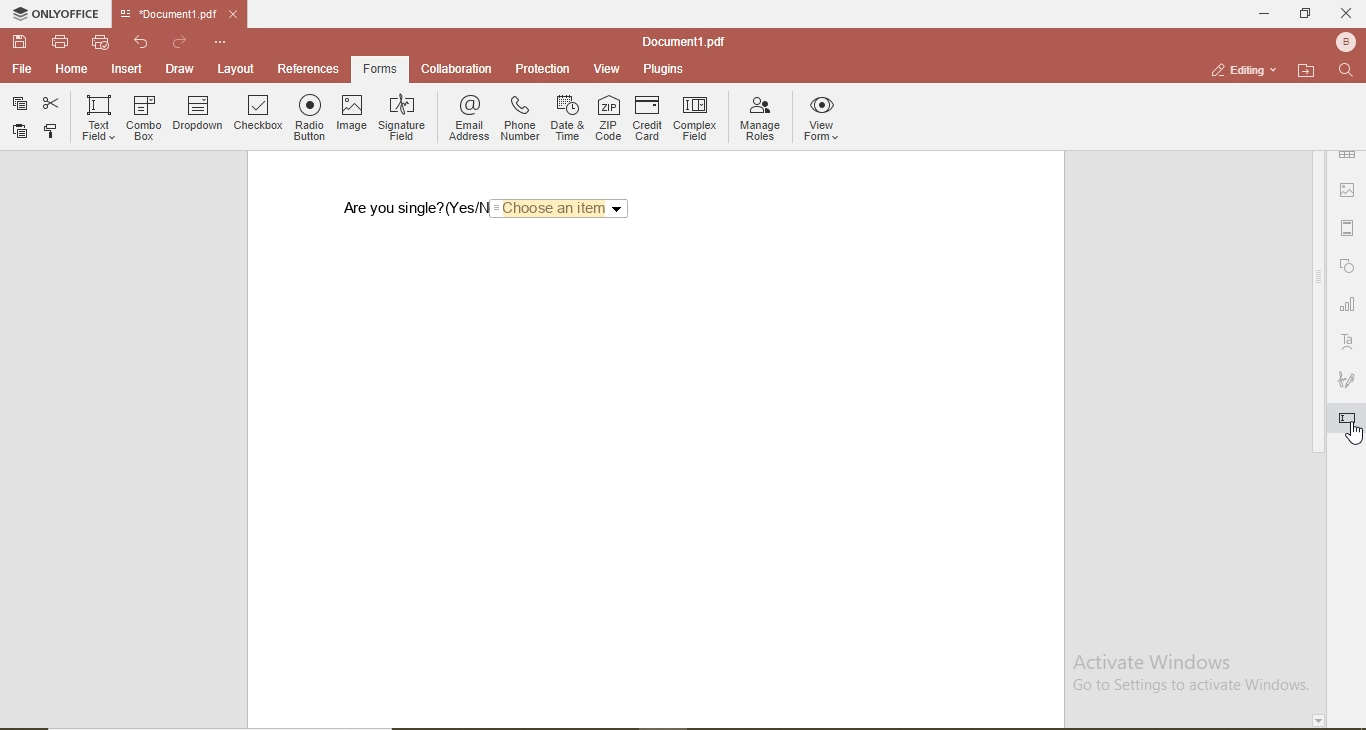 This screenshot has height=730, width=1366. Describe the element at coordinates (354, 113) in the screenshot. I see `image` at that location.